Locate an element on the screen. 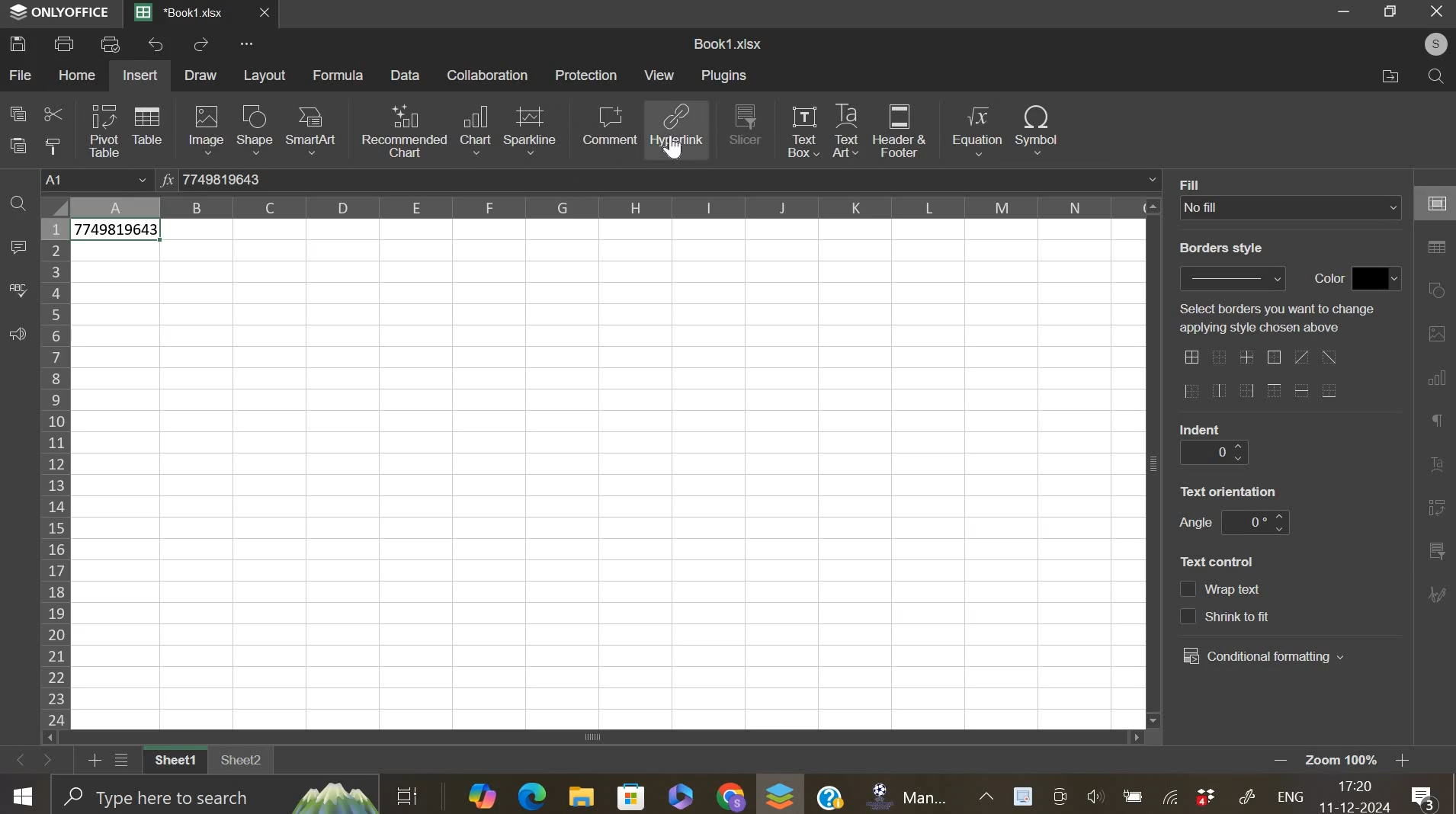 Image resolution: width=1456 pixels, height=814 pixels. redo is located at coordinates (201, 46).